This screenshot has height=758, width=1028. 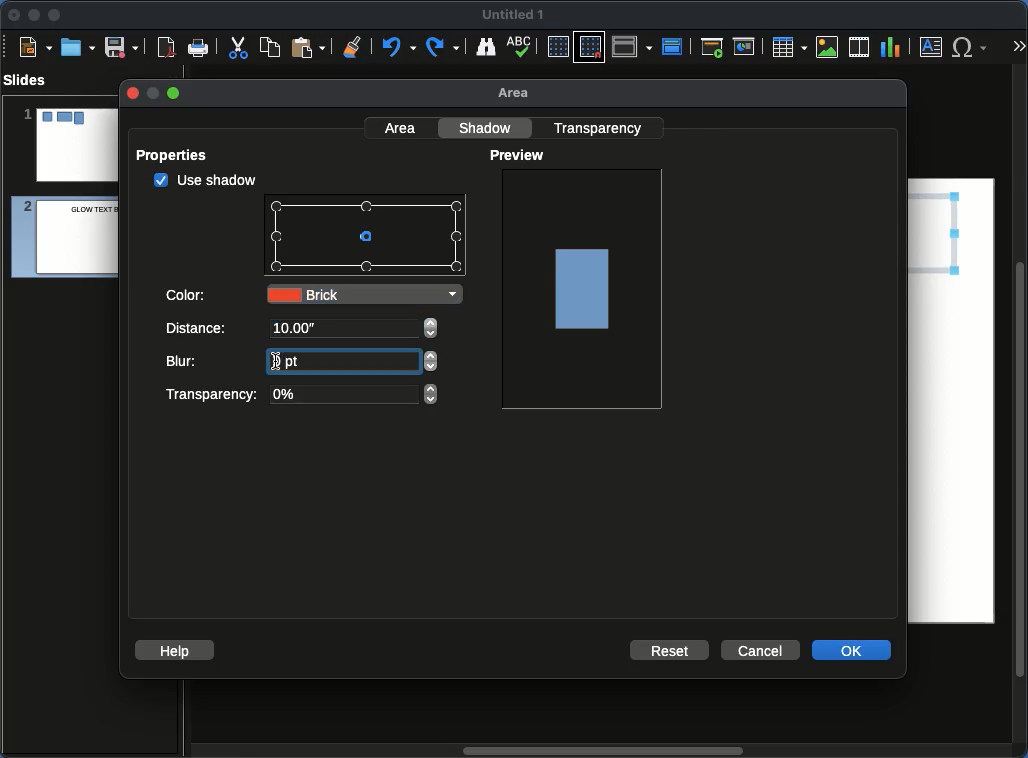 What do you see at coordinates (188, 293) in the screenshot?
I see `Color` at bounding box center [188, 293].